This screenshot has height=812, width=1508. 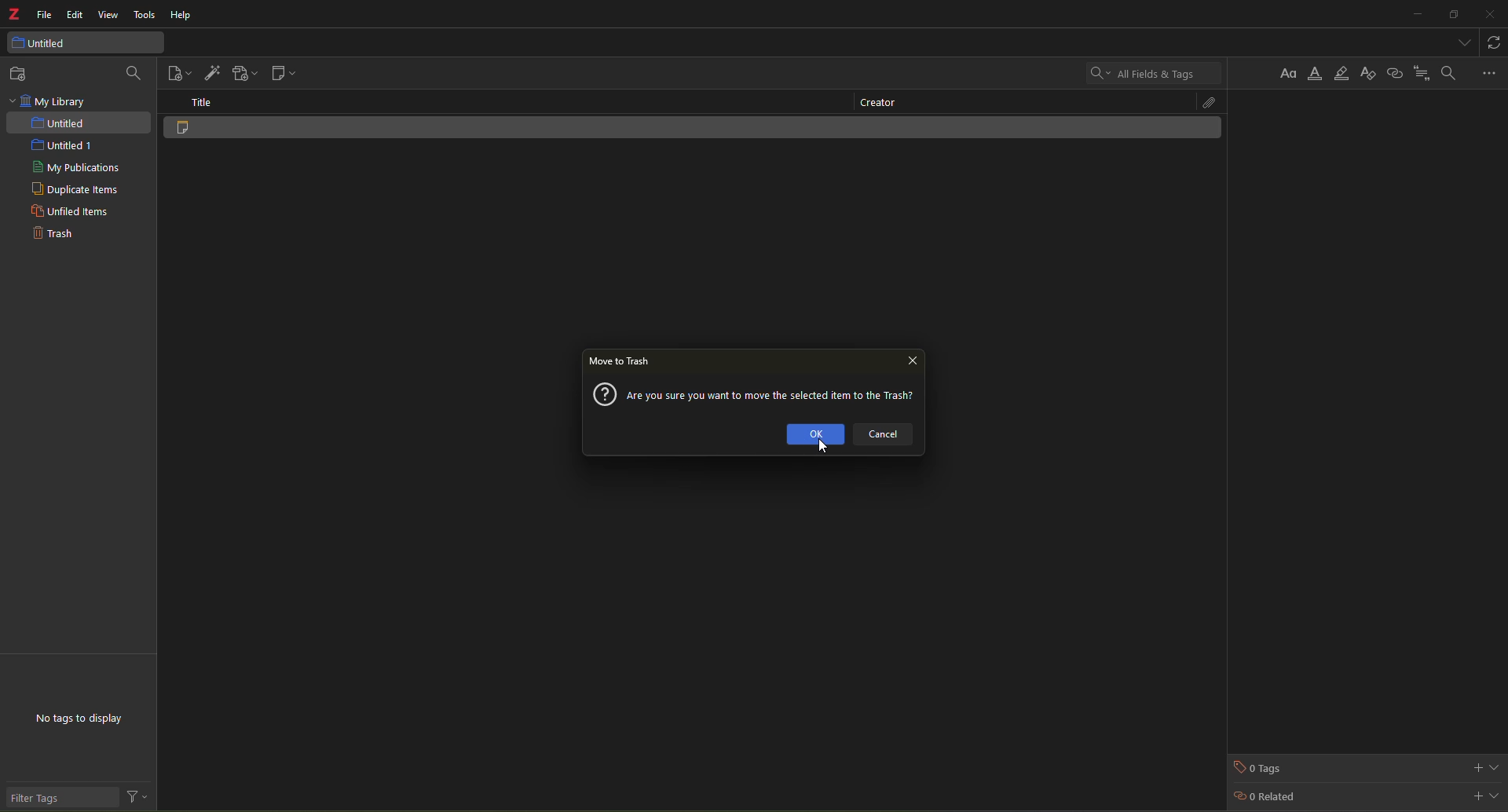 I want to click on search, so click(x=133, y=71).